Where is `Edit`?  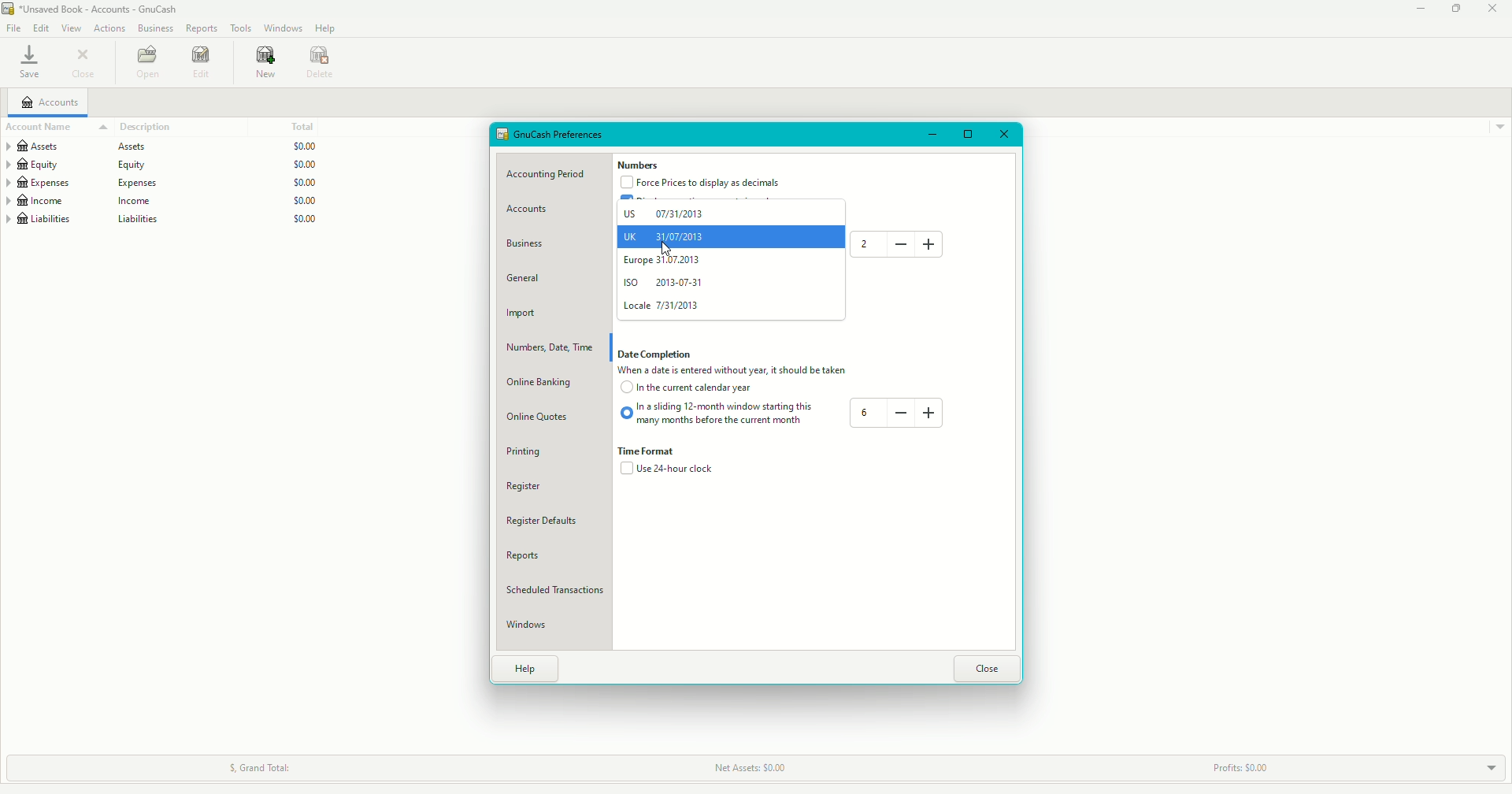
Edit is located at coordinates (202, 63).